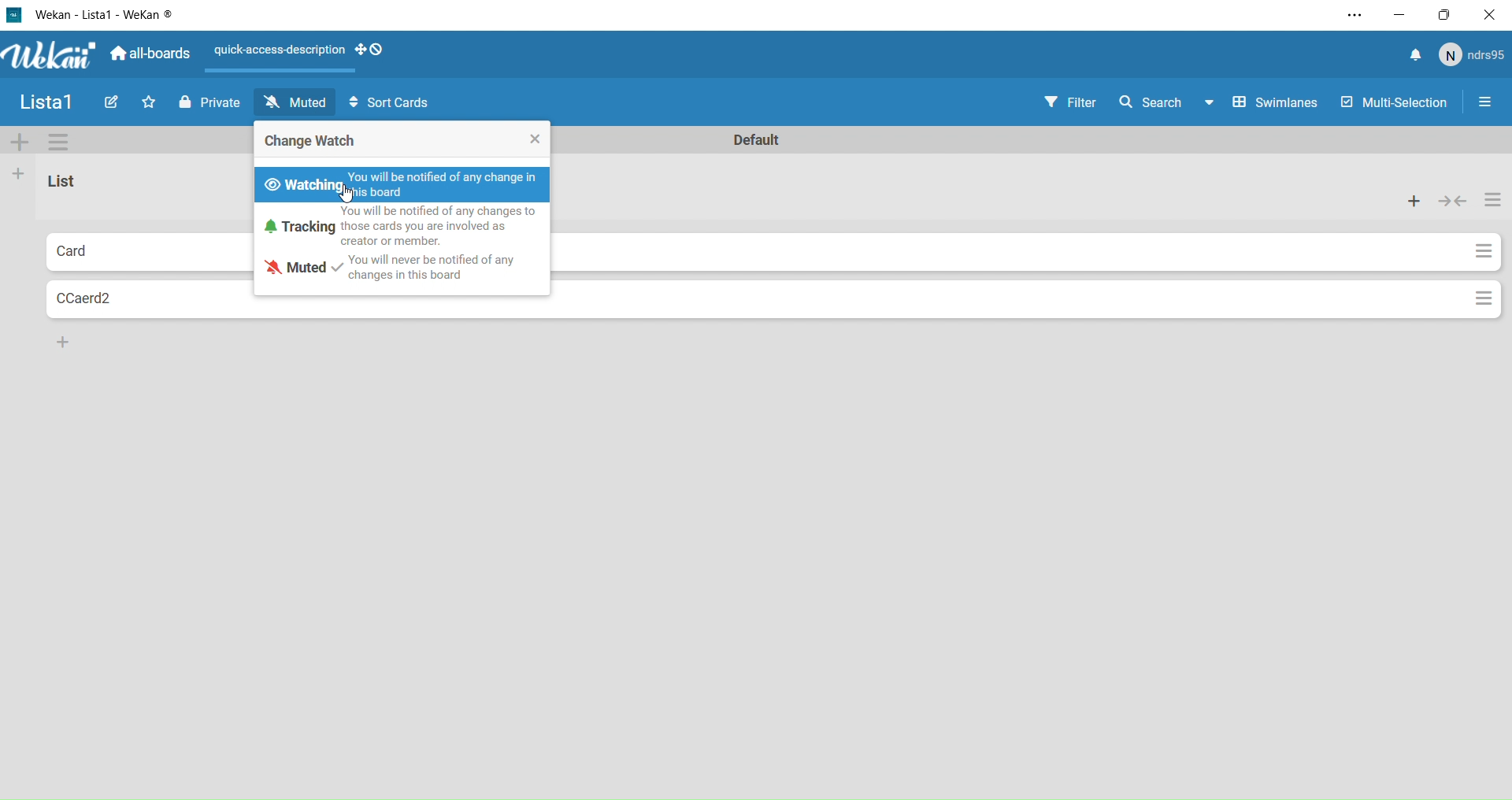 The image size is (1512, 800). I want to click on All boards, so click(152, 56).